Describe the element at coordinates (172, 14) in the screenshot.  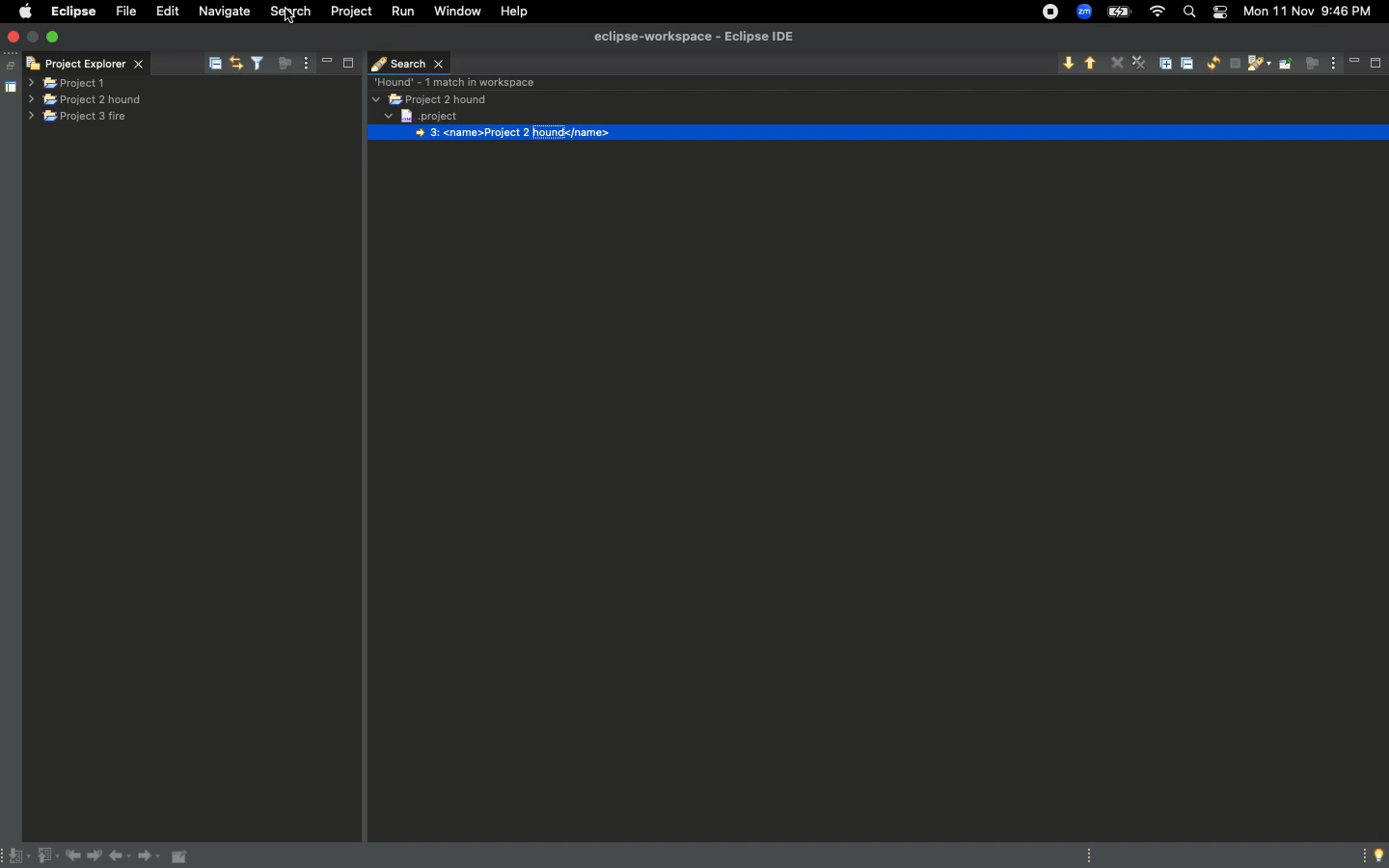
I see `Edit` at that location.